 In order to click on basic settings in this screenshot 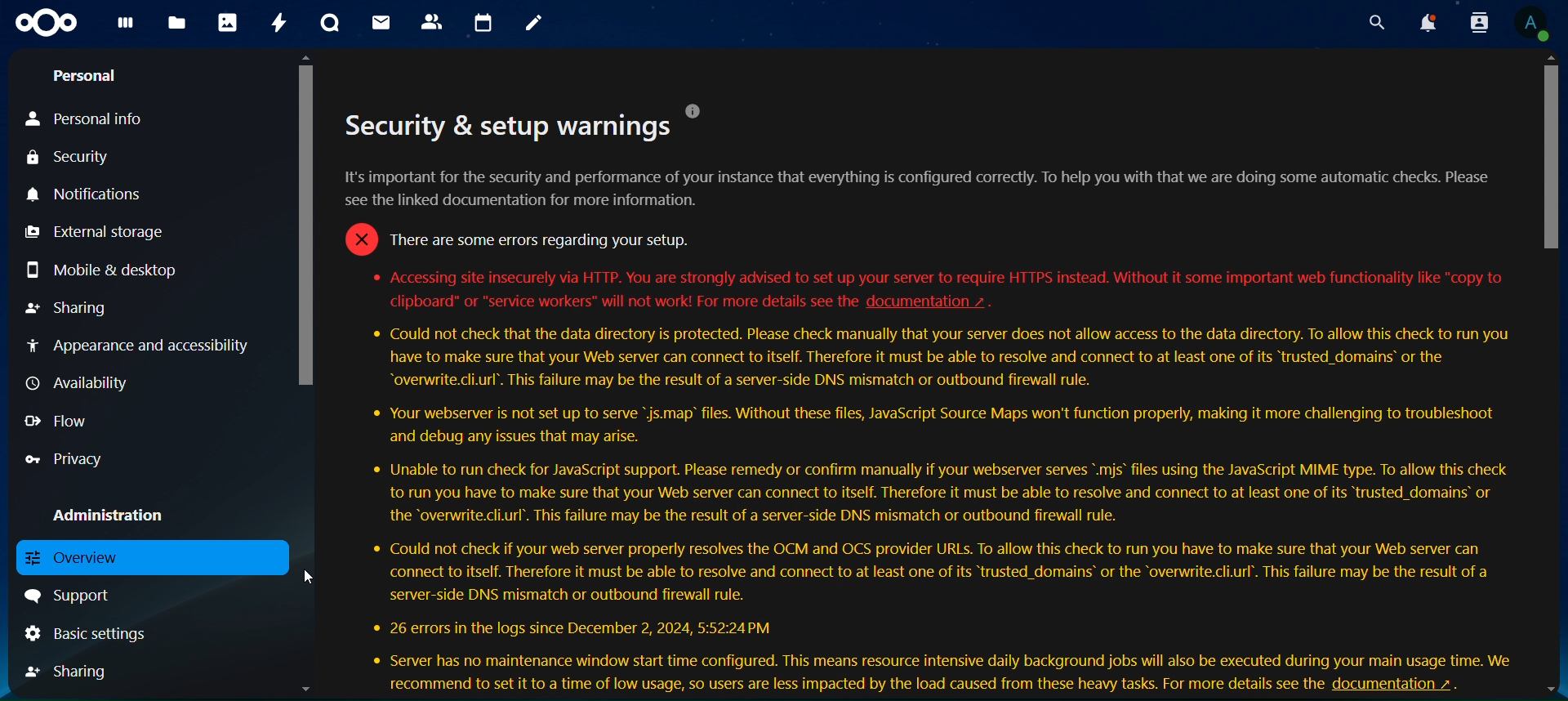, I will do `click(88, 633)`.